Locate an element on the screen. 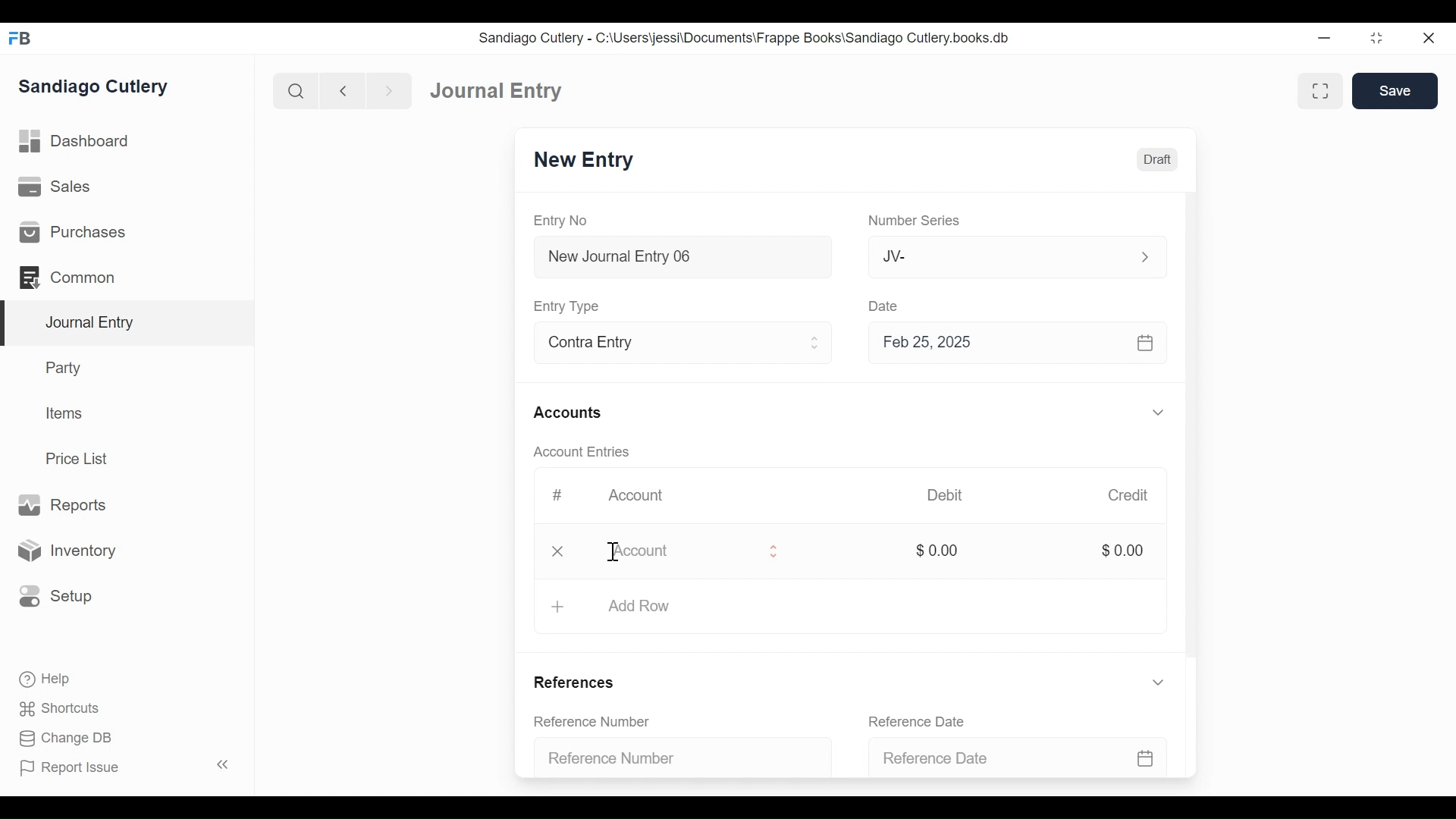 The height and width of the screenshot is (819, 1456). Inventory is located at coordinates (64, 551).